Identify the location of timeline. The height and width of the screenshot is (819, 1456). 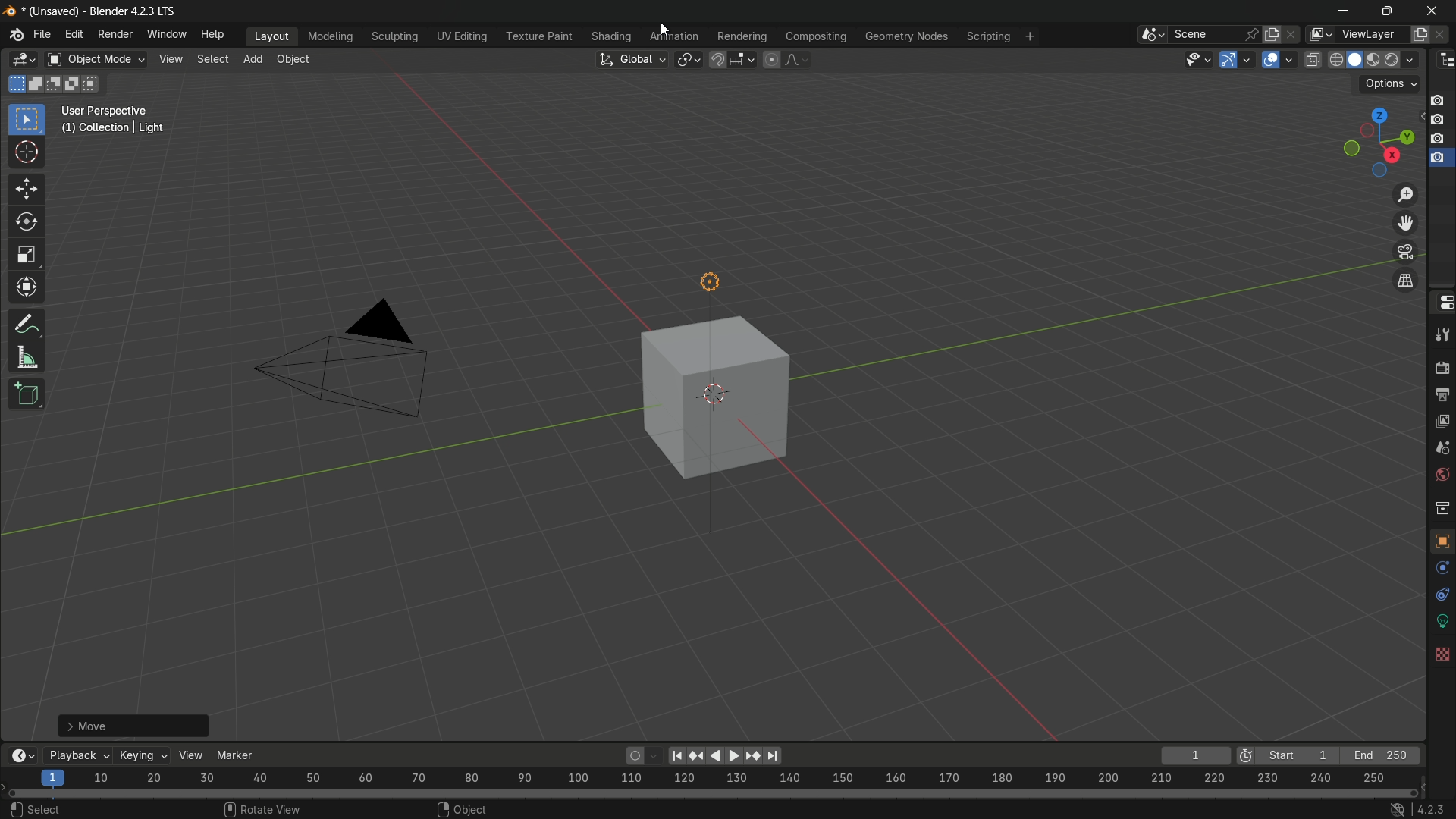
(24, 753).